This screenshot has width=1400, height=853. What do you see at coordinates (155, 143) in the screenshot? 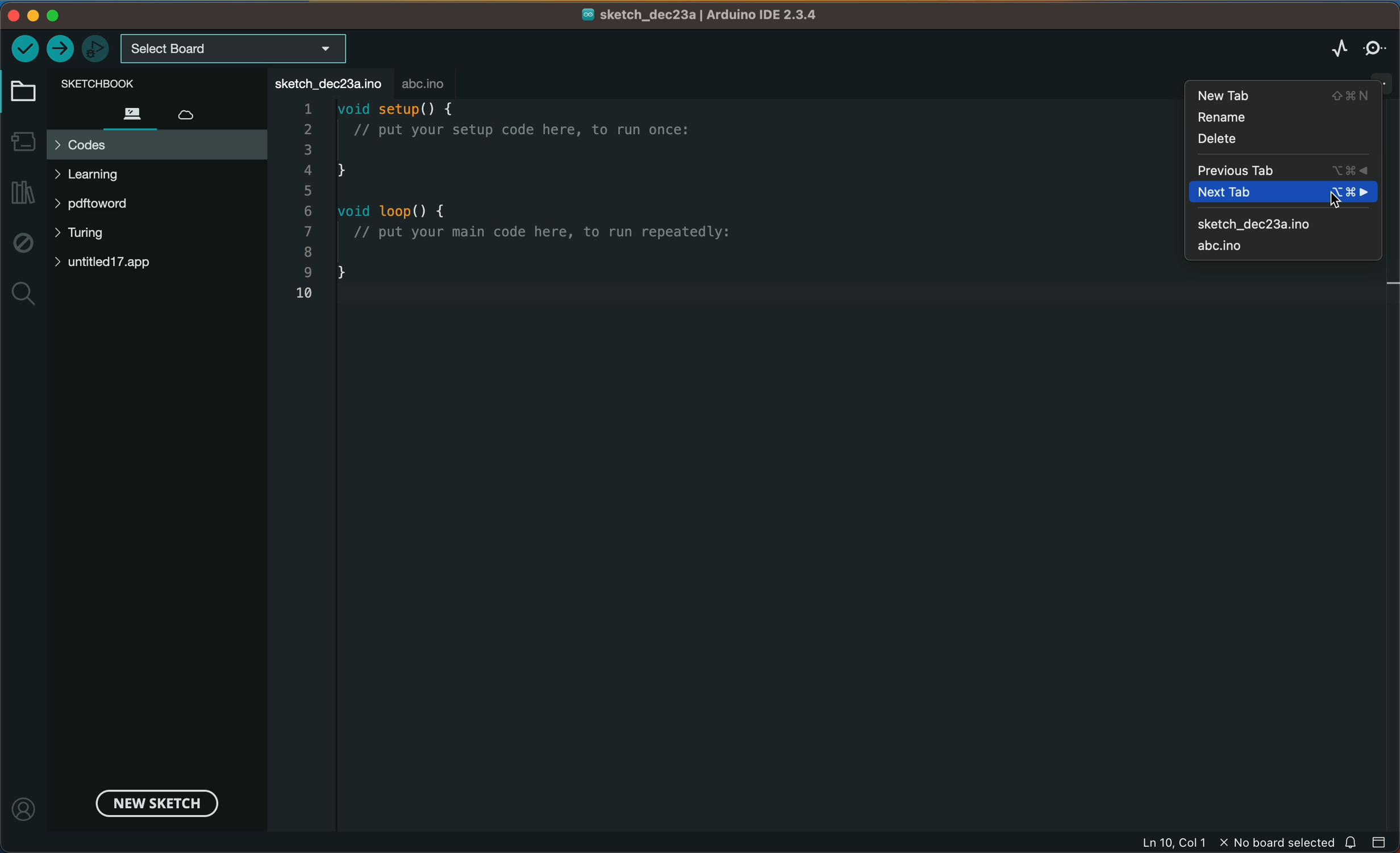
I see `codes` at bounding box center [155, 143].